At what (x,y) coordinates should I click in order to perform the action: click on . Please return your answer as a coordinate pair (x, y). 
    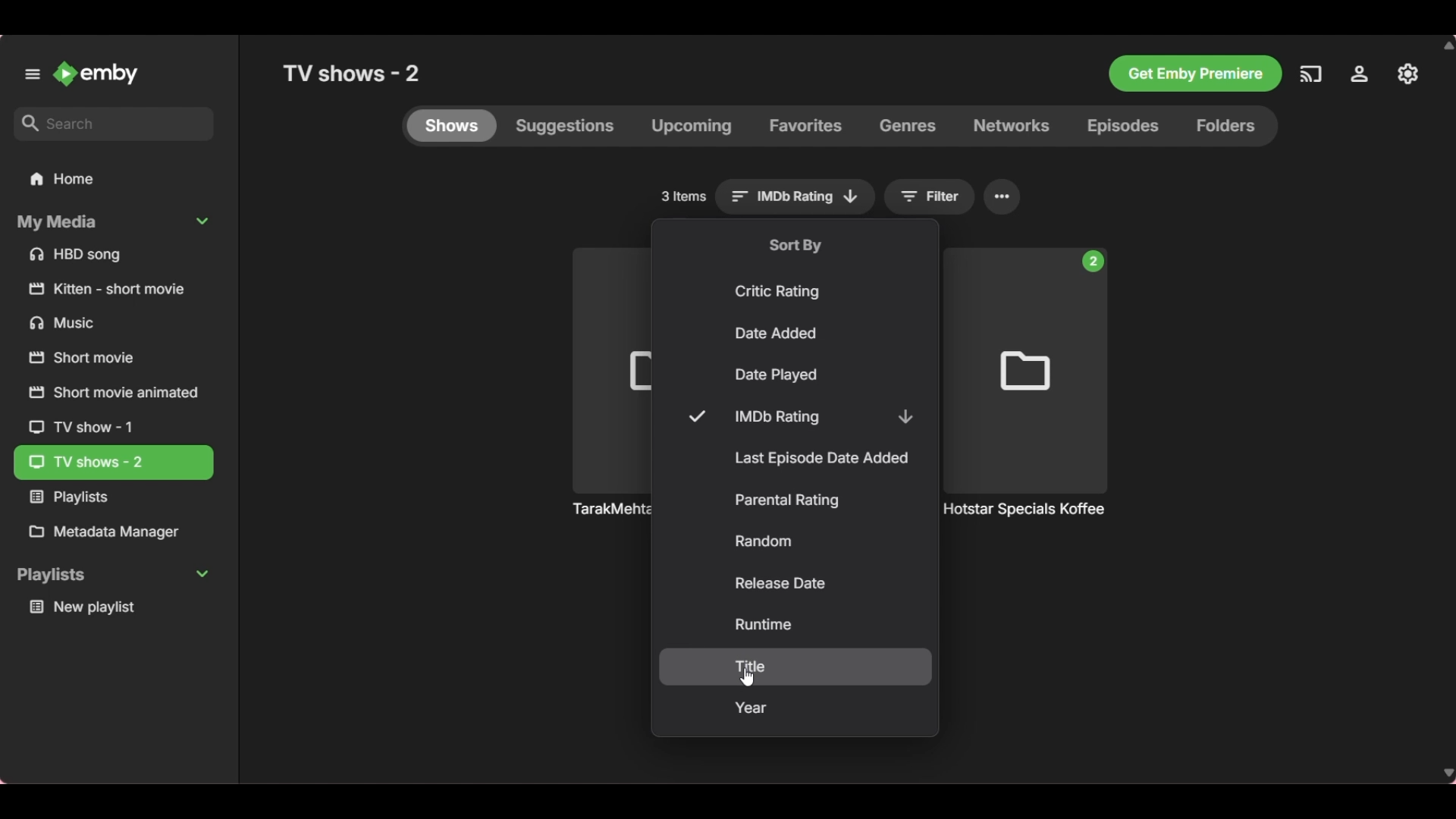
    Looking at the image, I should click on (1194, 73).